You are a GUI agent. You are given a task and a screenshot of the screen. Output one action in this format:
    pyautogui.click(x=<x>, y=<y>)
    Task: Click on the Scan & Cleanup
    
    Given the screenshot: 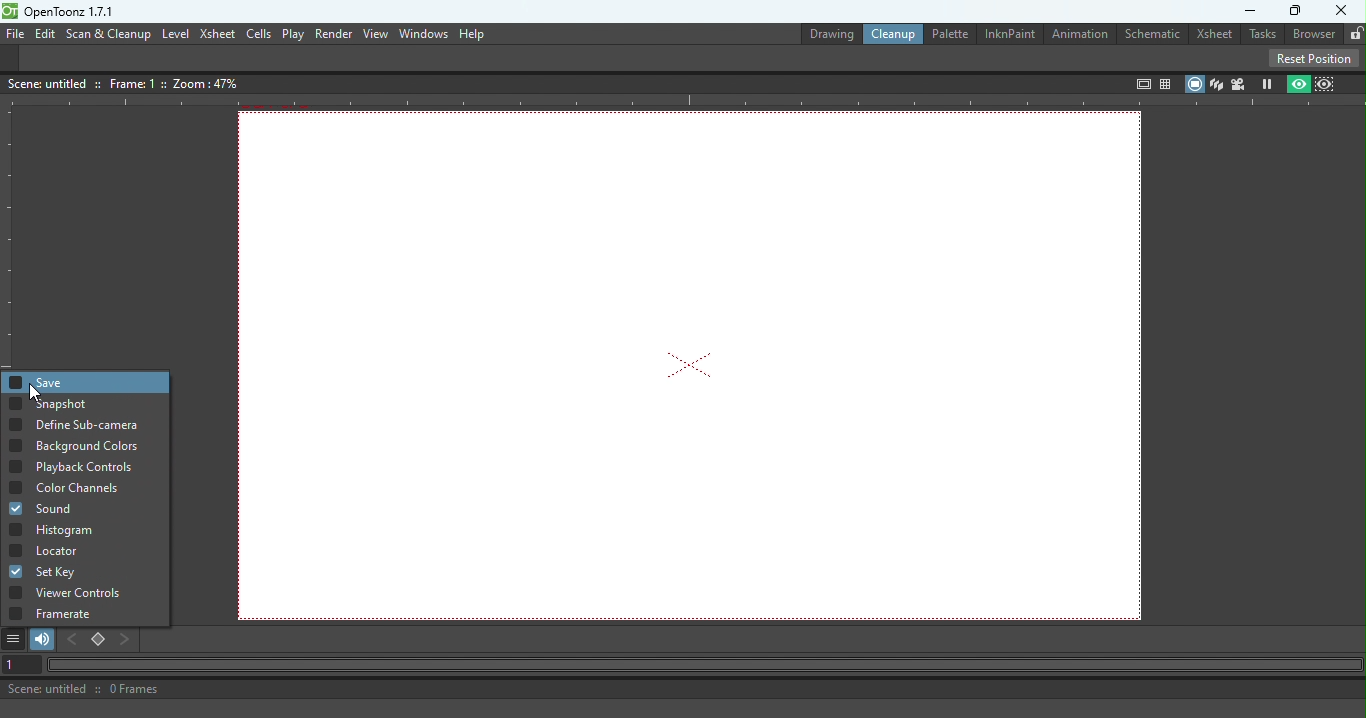 What is the action you would take?
    pyautogui.click(x=109, y=35)
    